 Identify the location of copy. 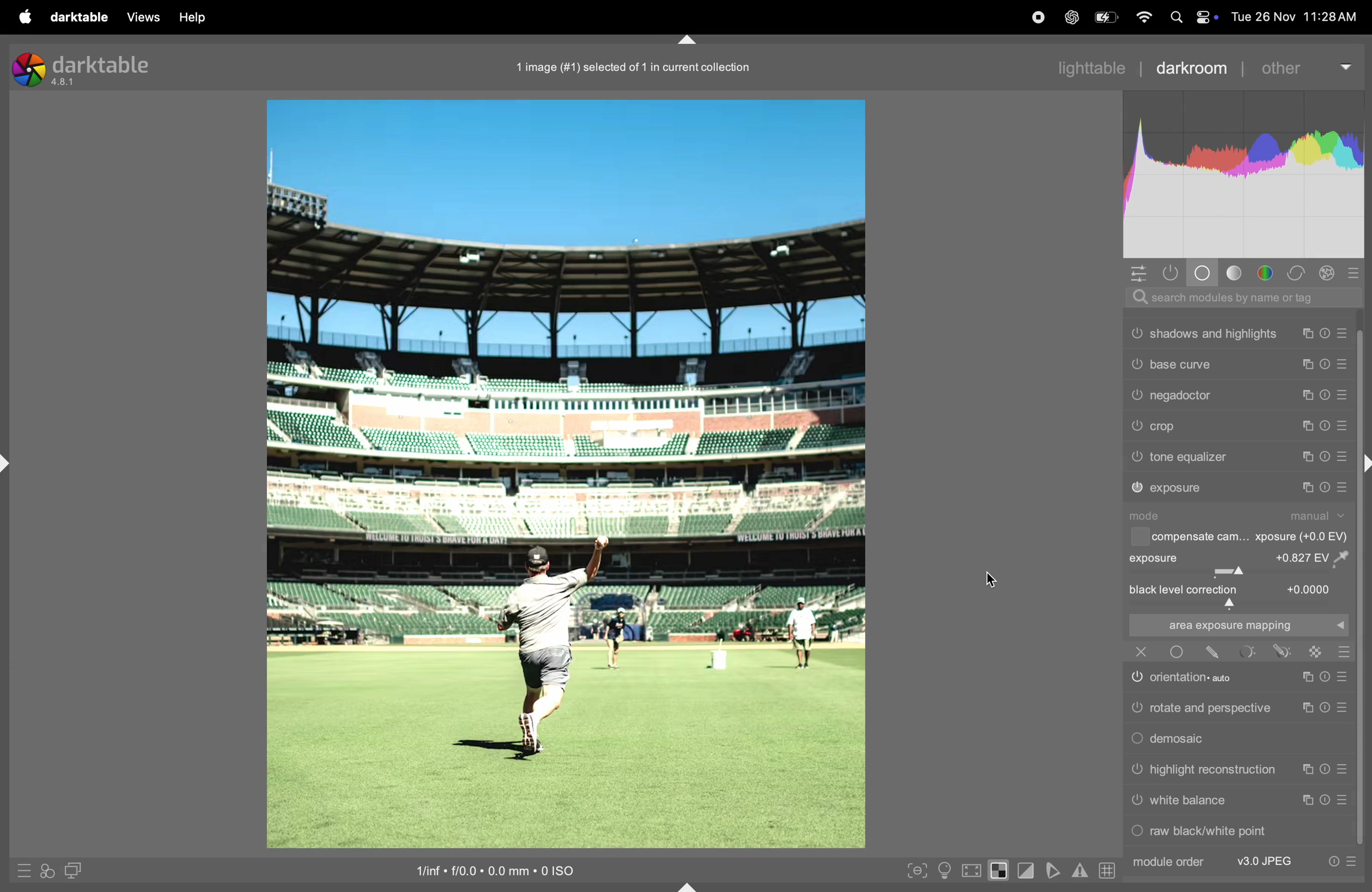
(1305, 678).